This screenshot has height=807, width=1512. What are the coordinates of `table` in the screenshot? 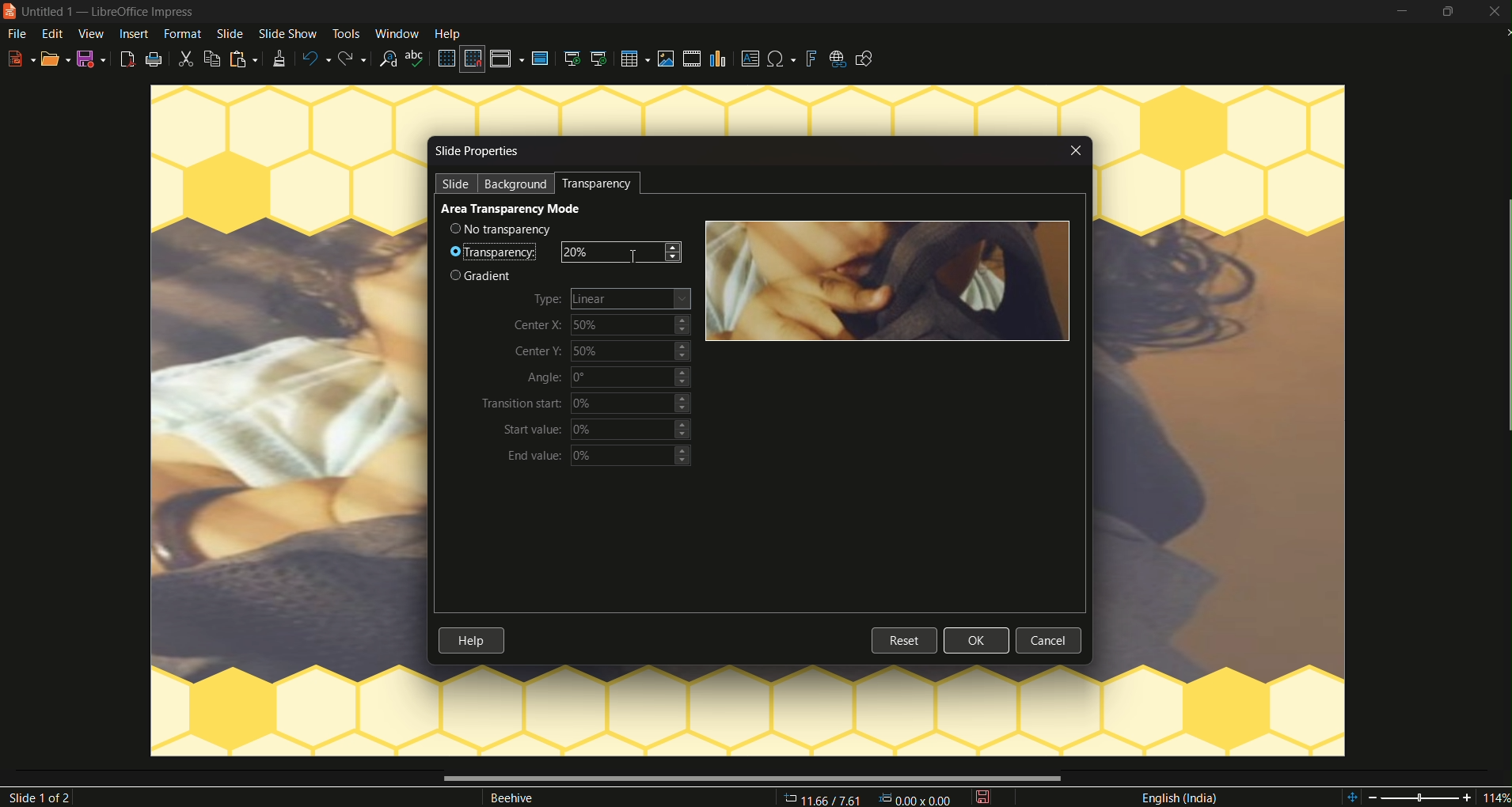 It's located at (635, 59).